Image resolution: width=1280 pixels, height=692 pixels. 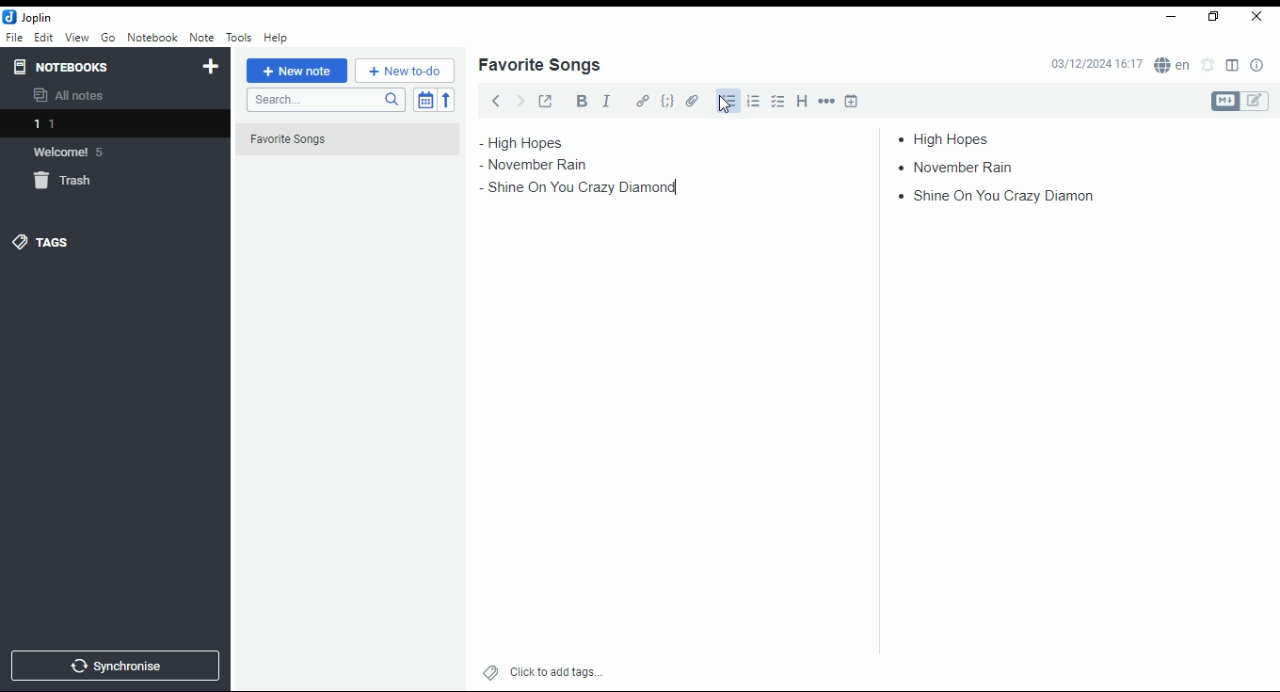 I want to click on november rain, so click(x=548, y=165).